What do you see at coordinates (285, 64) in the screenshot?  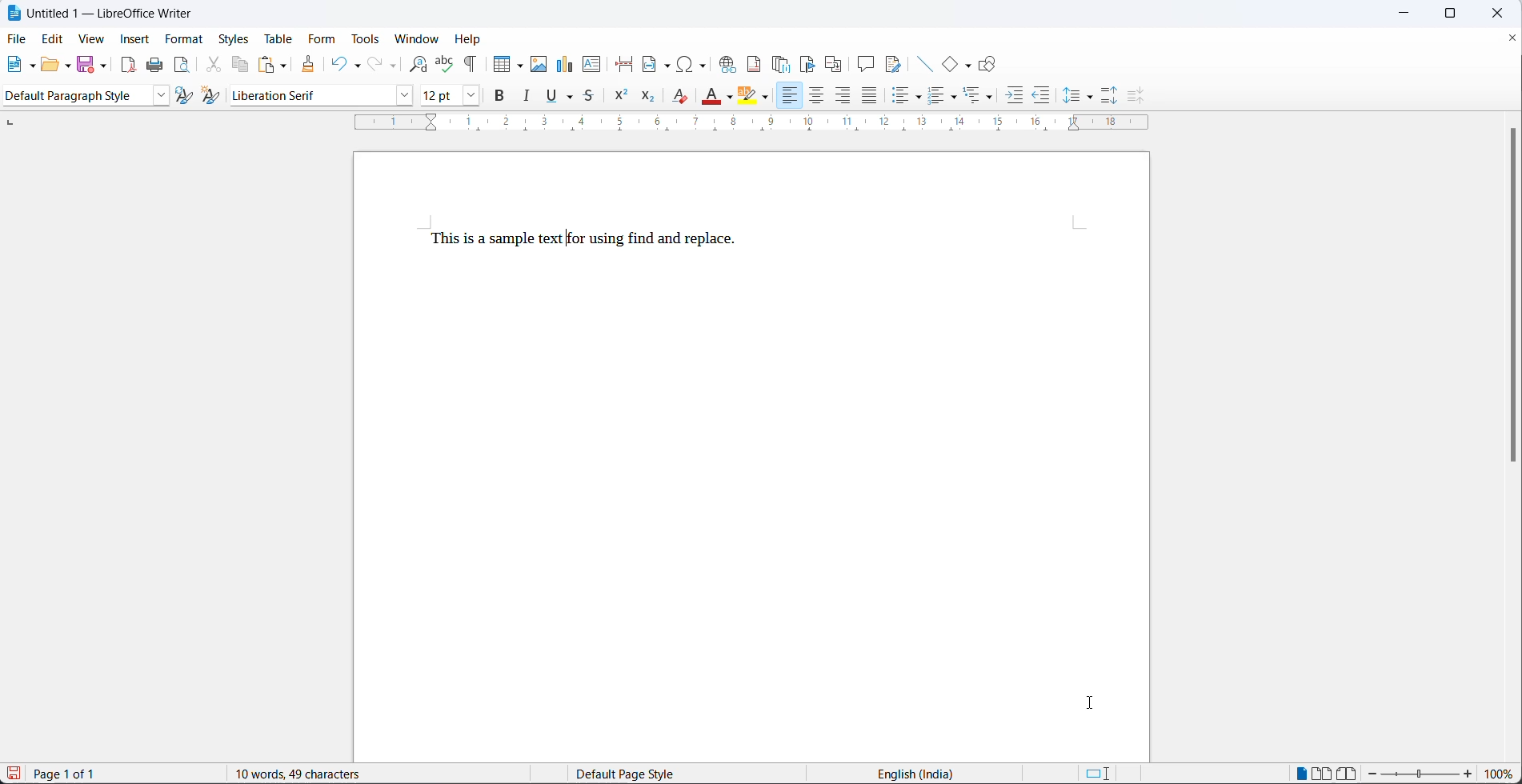 I see `paste options` at bounding box center [285, 64].